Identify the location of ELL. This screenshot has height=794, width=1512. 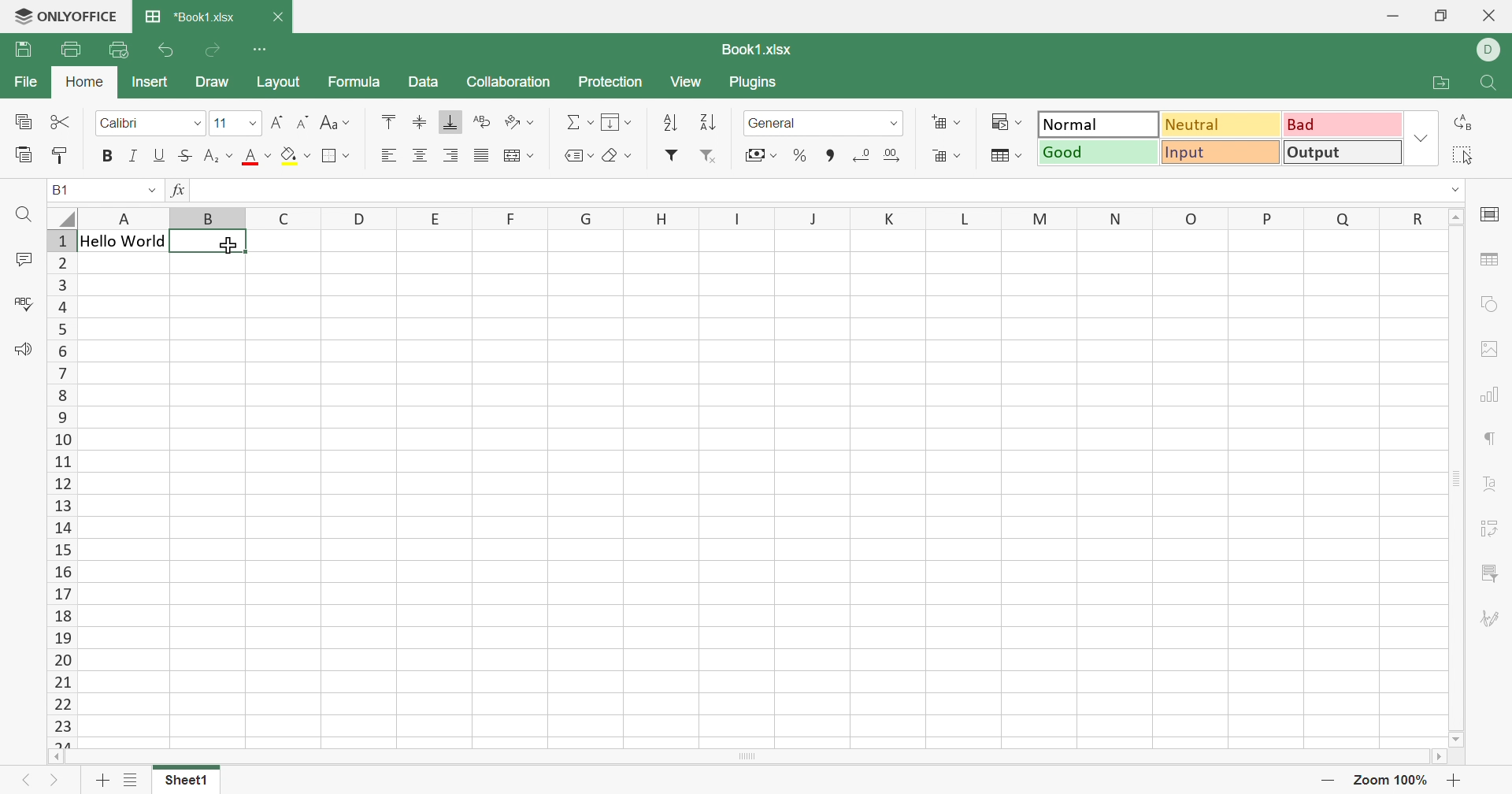
(1492, 49).